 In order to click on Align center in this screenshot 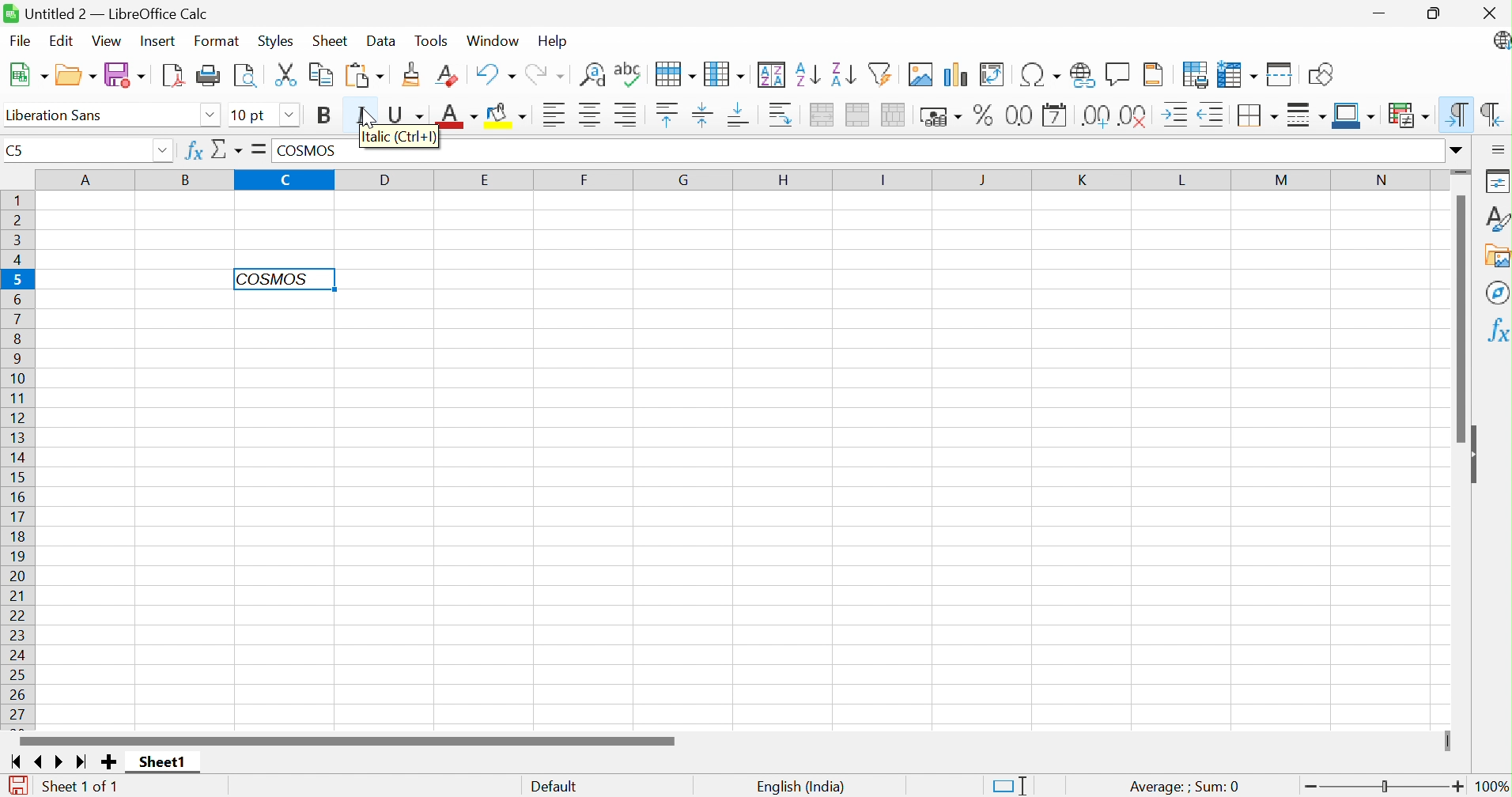, I will do `click(591, 115)`.